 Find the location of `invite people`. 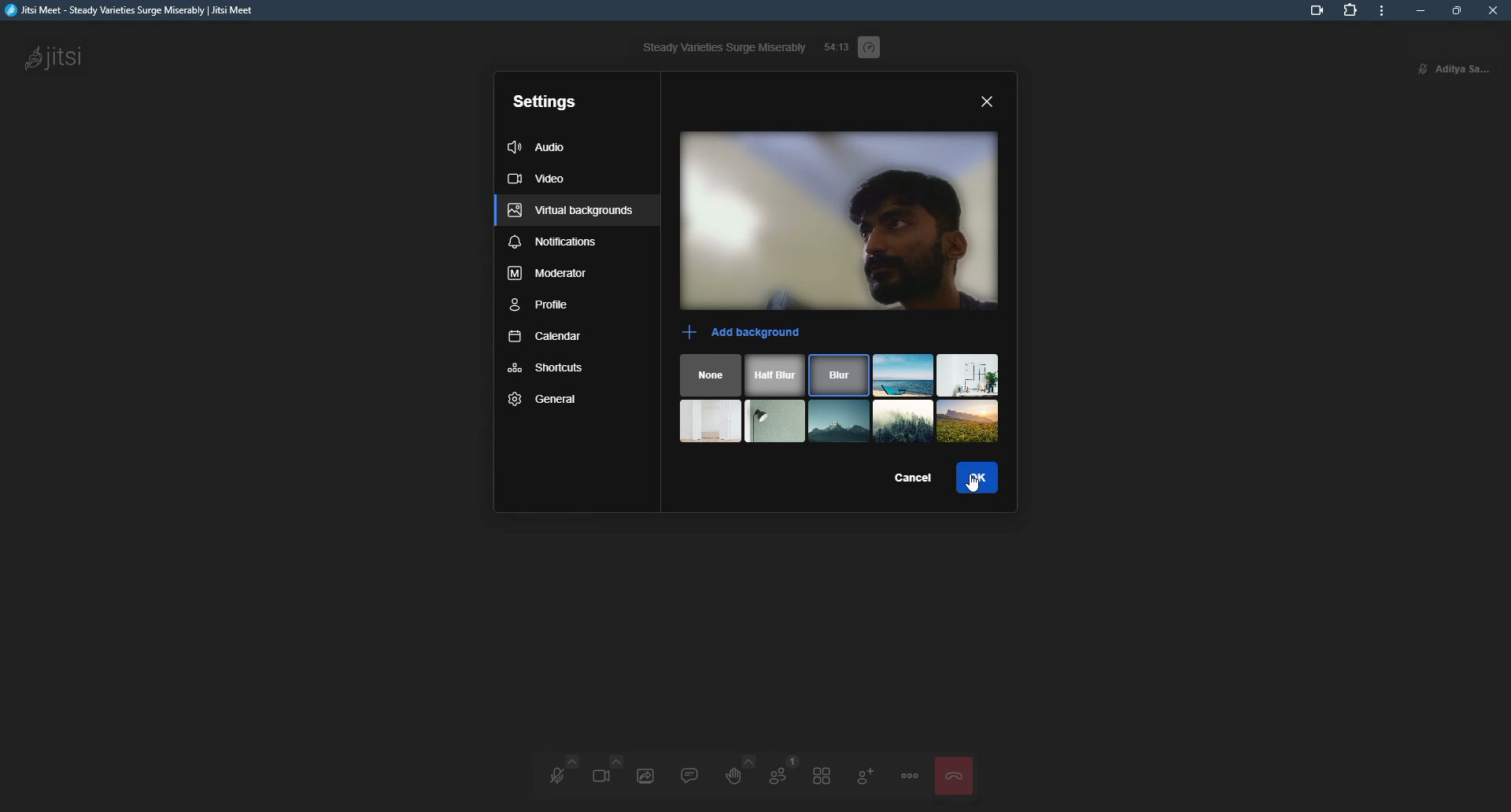

invite people is located at coordinates (865, 774).